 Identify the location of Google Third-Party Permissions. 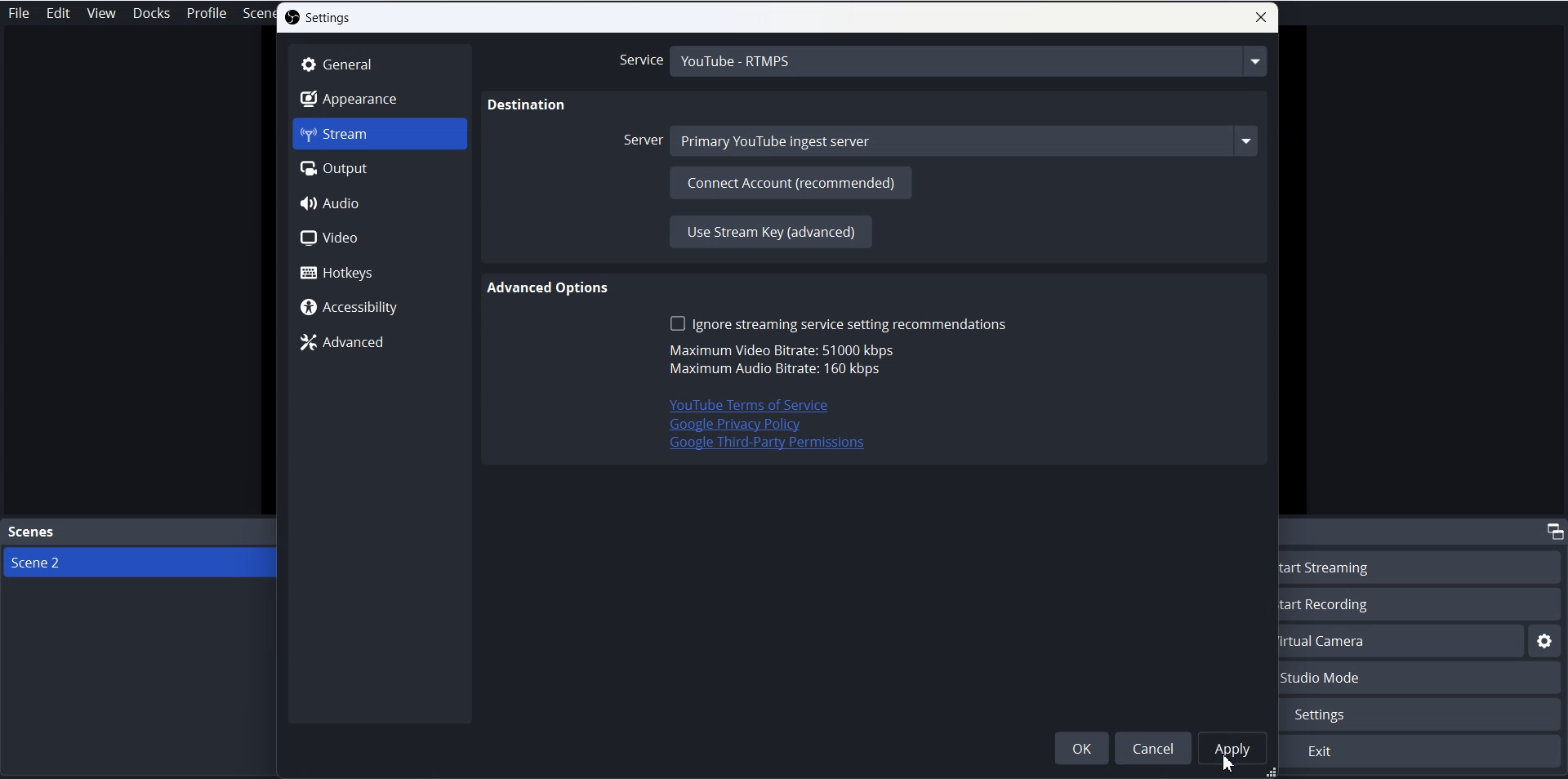
(768, 446).